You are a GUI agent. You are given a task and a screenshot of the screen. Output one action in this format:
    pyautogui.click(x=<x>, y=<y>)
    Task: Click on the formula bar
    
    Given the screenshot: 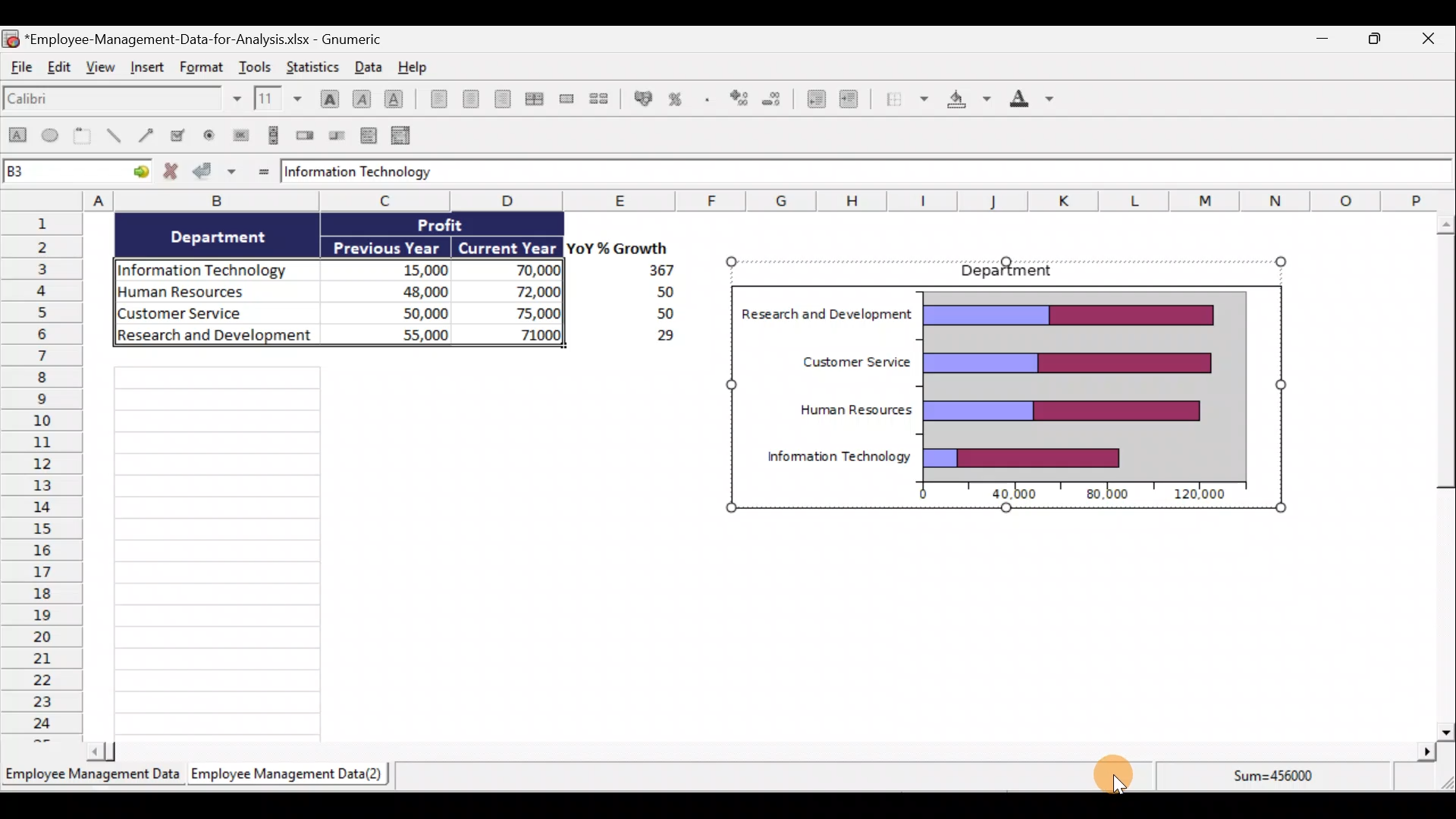 What is the action you would take?
    pyautogui.click(x=862, y=171)
    